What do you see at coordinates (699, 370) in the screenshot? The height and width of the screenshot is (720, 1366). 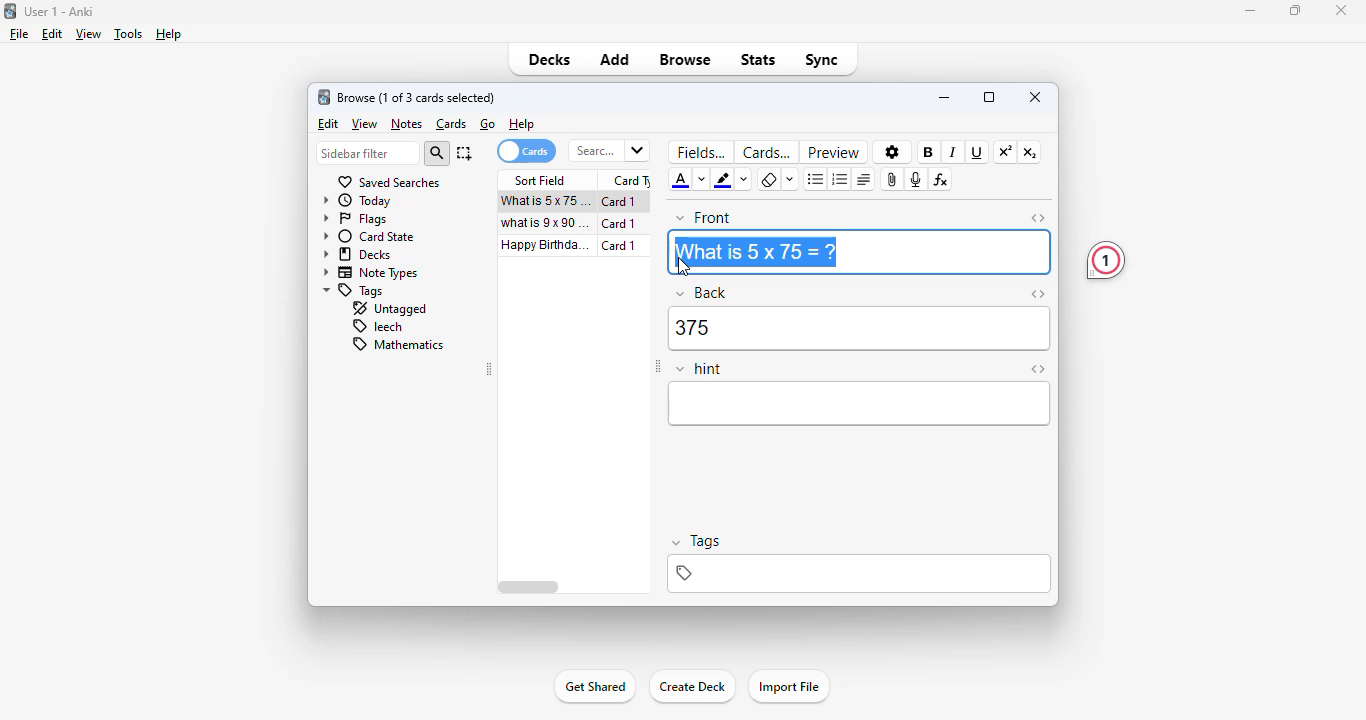 I see `hint` at bounding box center [699, 370].